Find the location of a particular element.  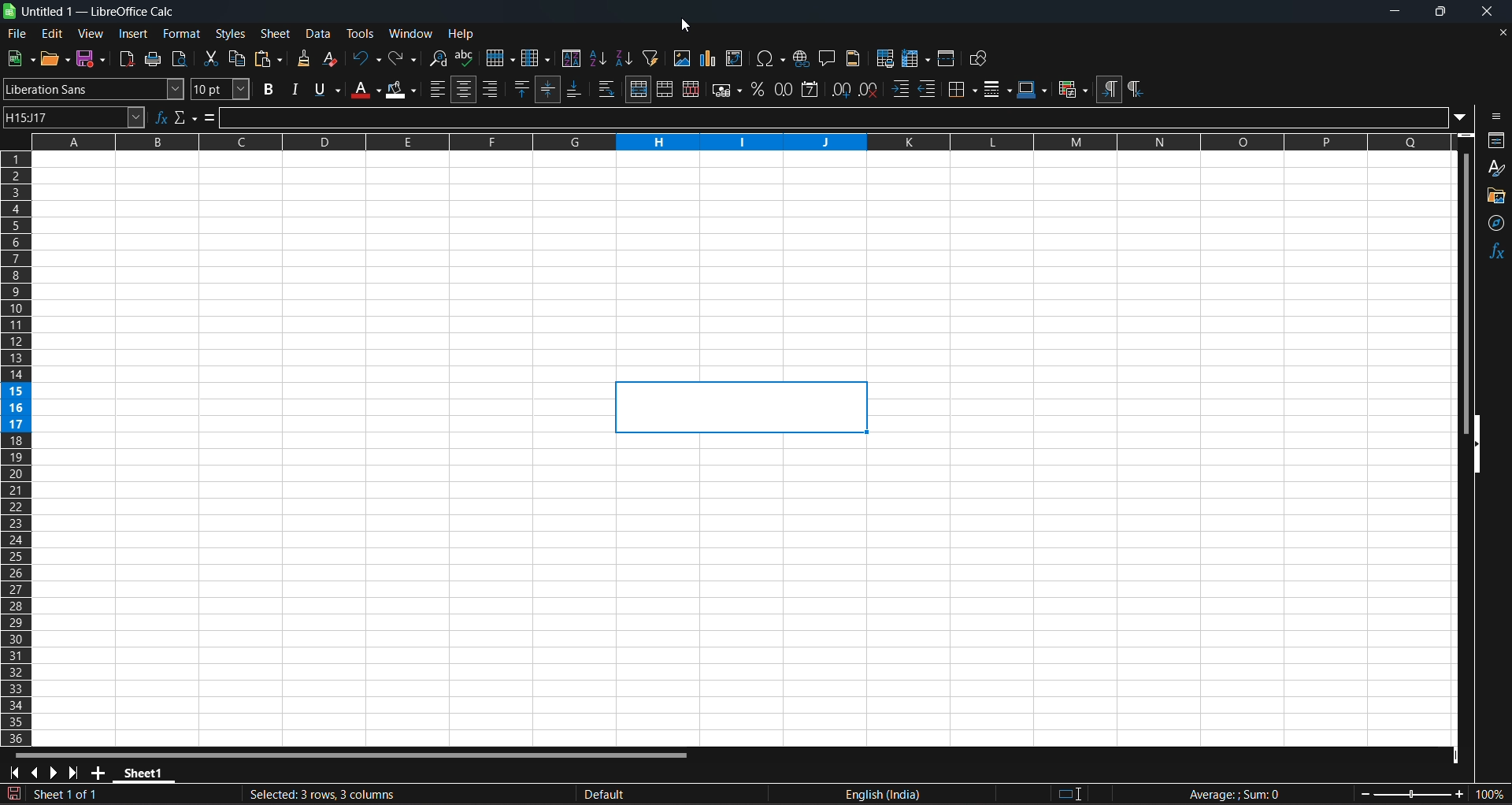

background color is located at coordinates (402, 90).